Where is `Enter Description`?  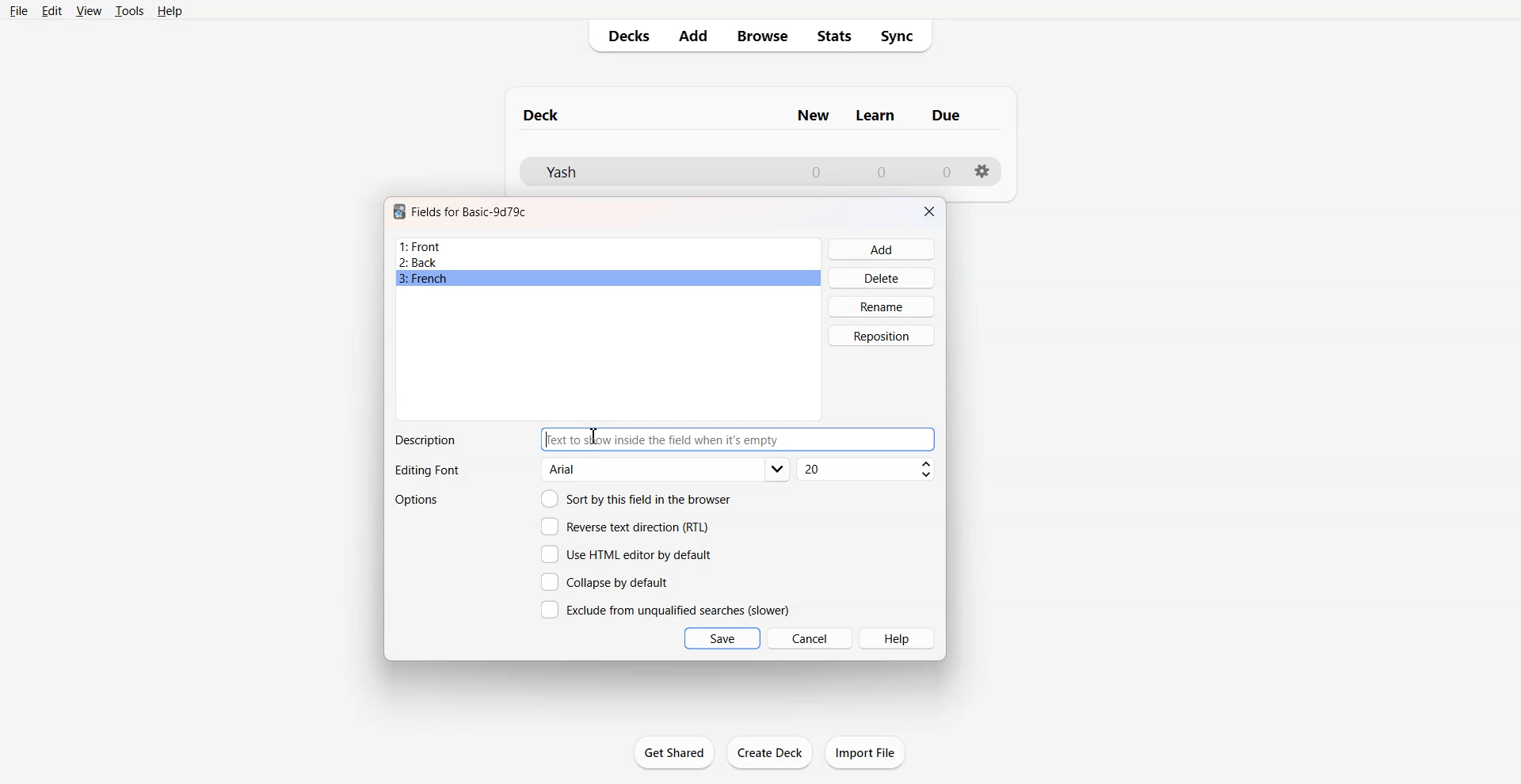 Enter Description is located at coordinates (739, 440).